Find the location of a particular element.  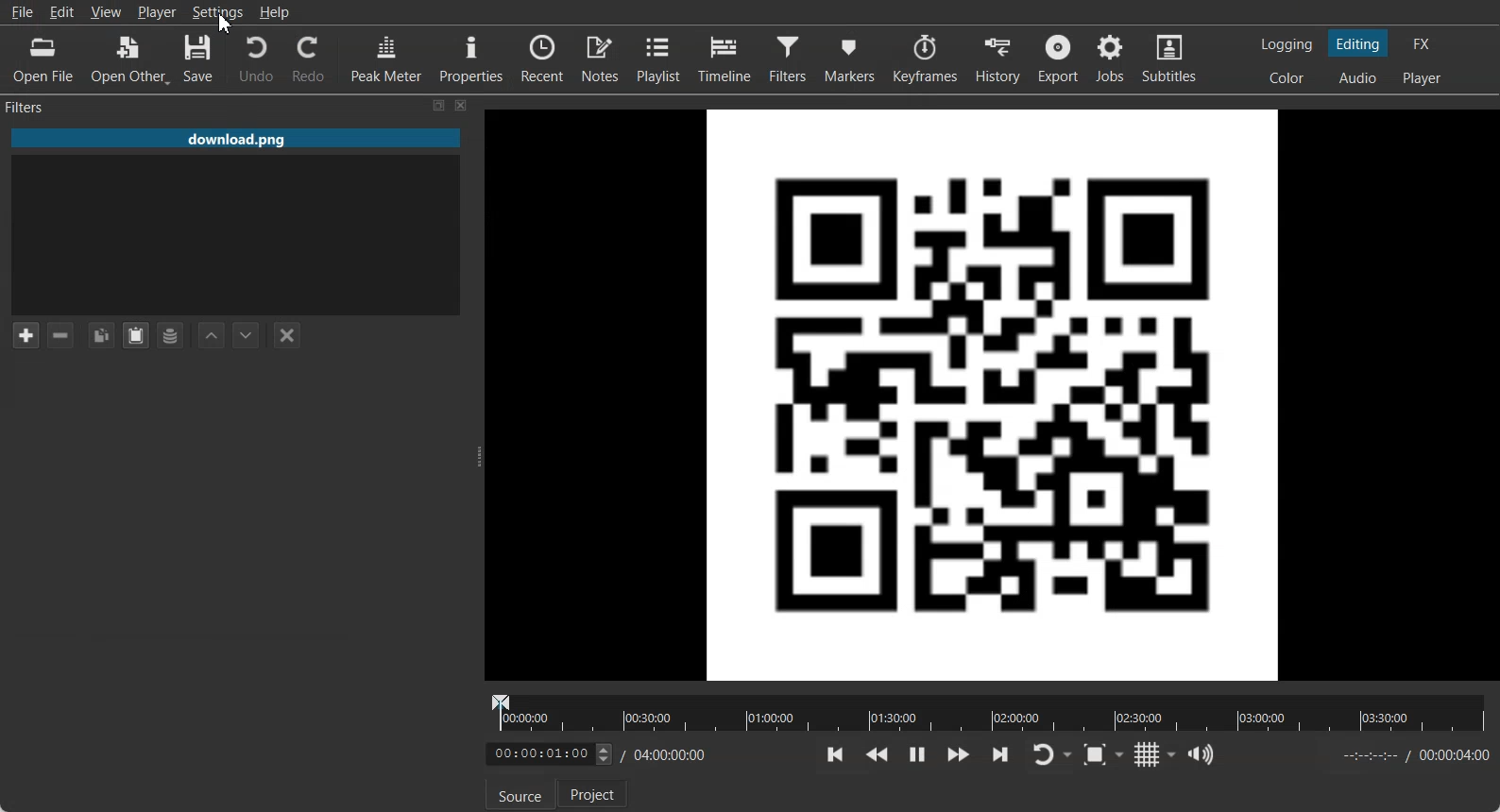

Filter is located at coordinates (788, 59).